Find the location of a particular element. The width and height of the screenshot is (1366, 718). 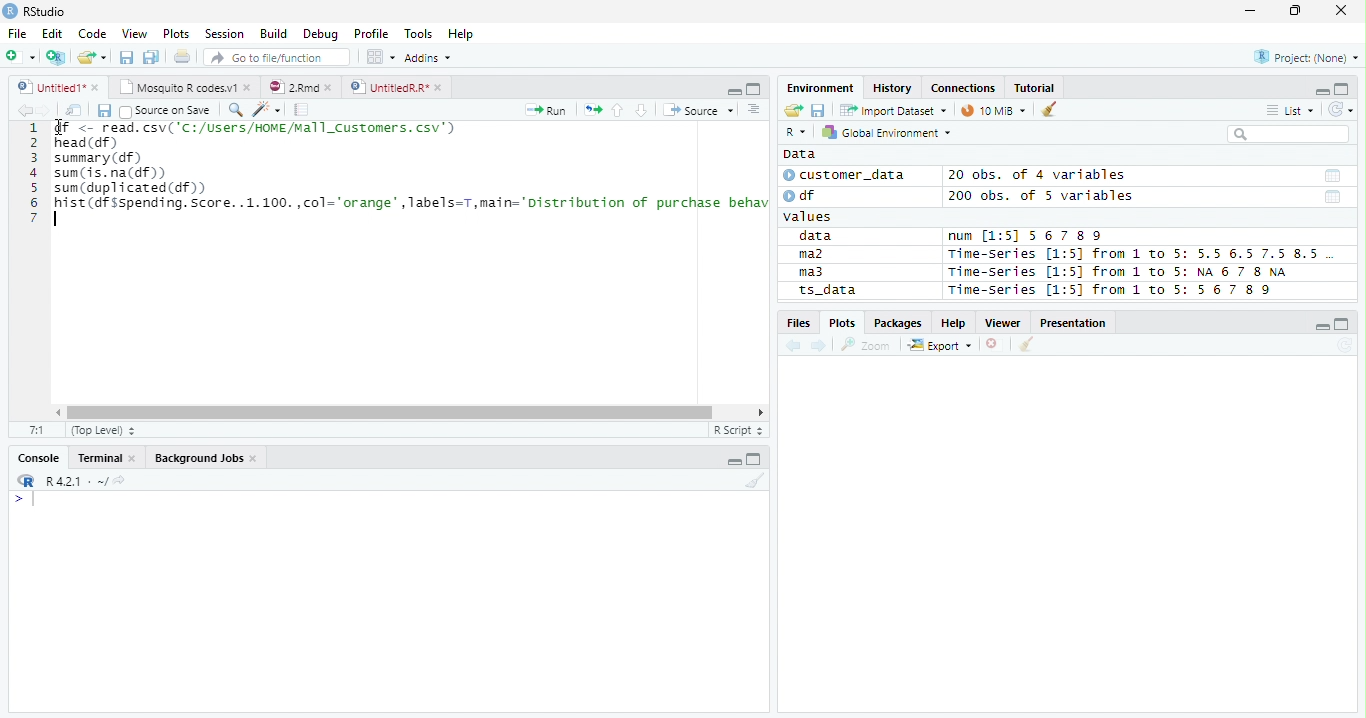

Run is located at coordinates (548, 111).